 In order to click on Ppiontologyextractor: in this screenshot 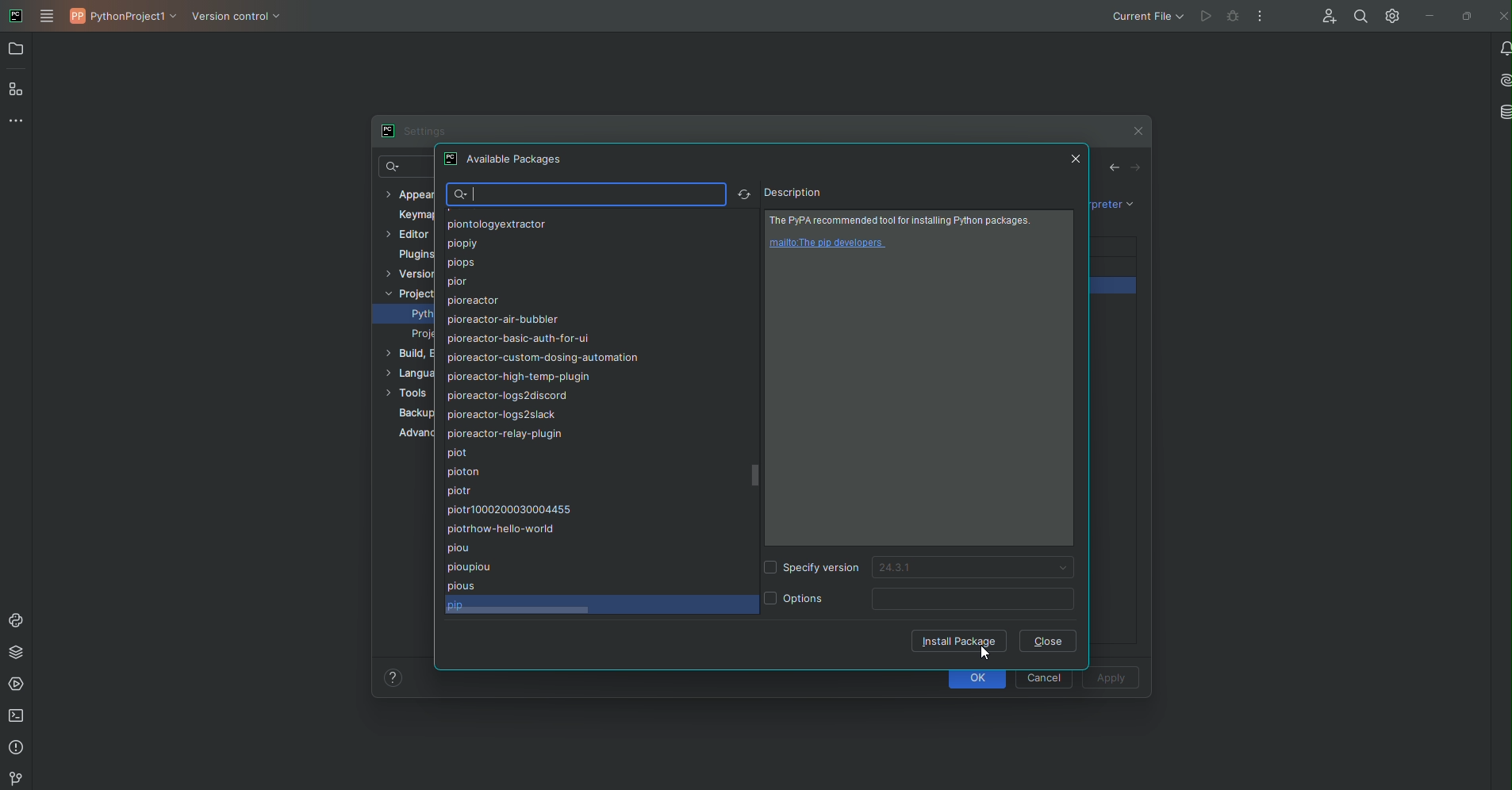, I will do `click(495, 225)`.